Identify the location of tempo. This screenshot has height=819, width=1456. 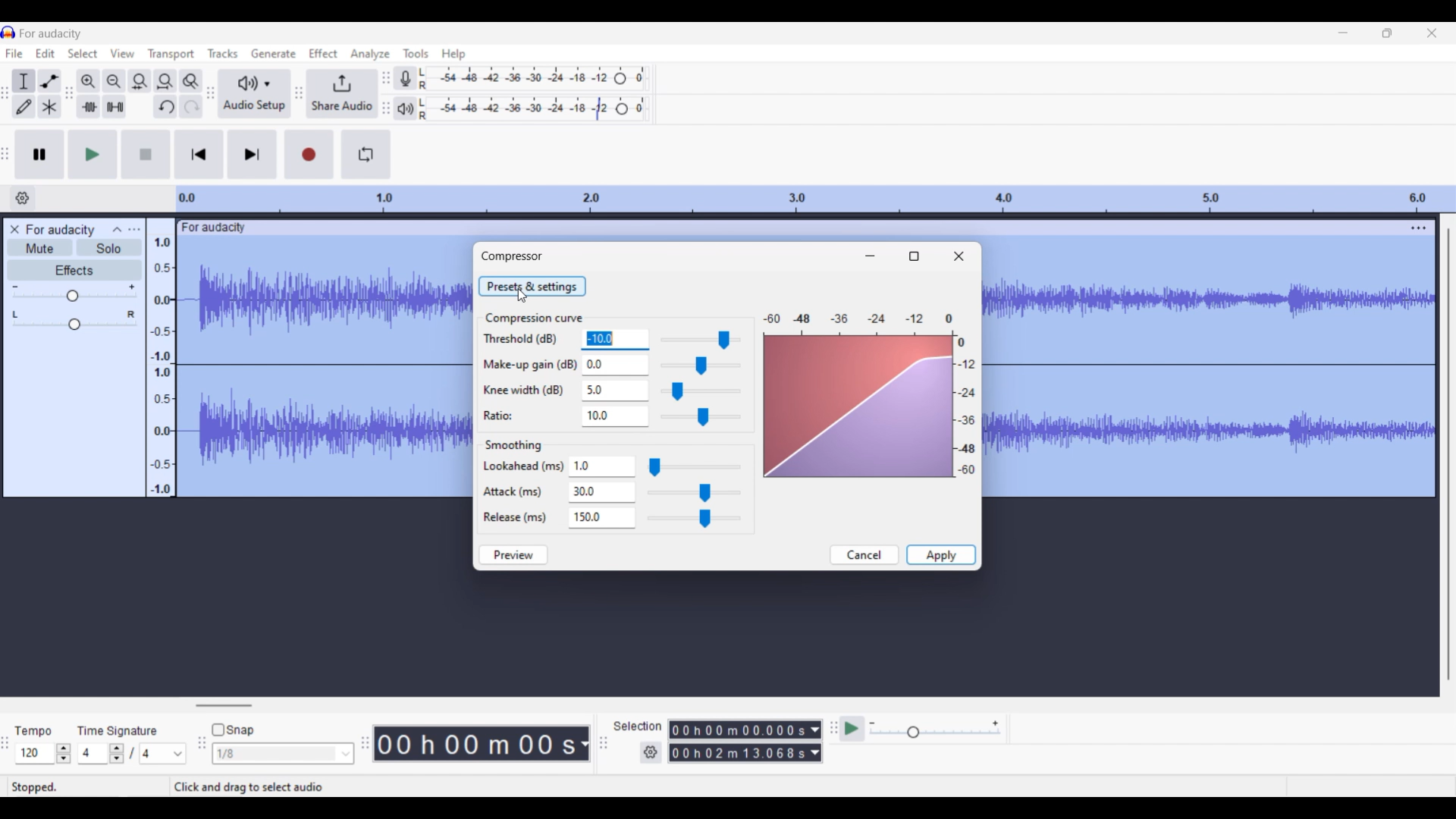
(33, 731).